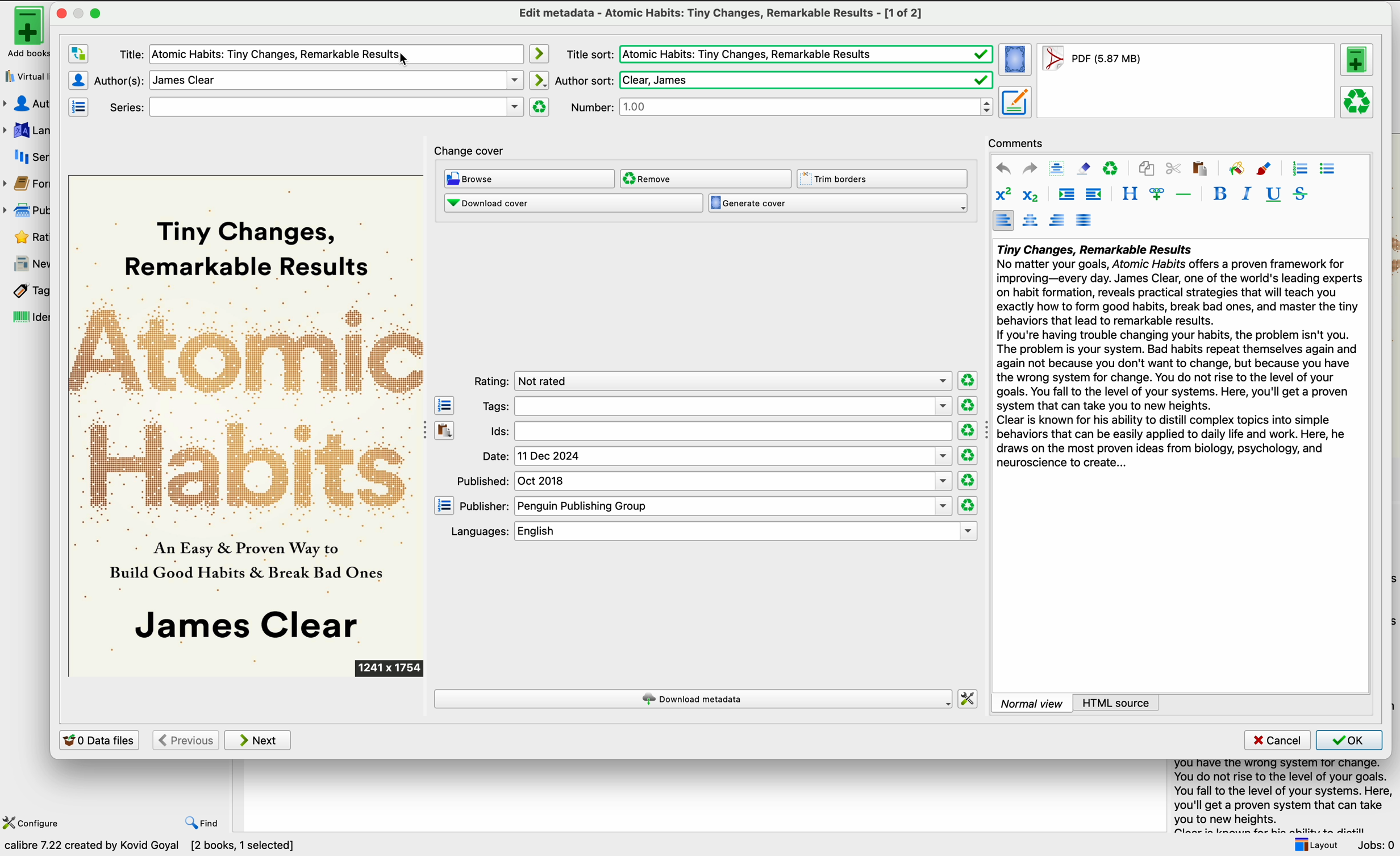 The width and height of the screenshot is (1400, 856). Describe the element at coordinates (967, 379) in the screenshot. I see `clear rating` at that location.